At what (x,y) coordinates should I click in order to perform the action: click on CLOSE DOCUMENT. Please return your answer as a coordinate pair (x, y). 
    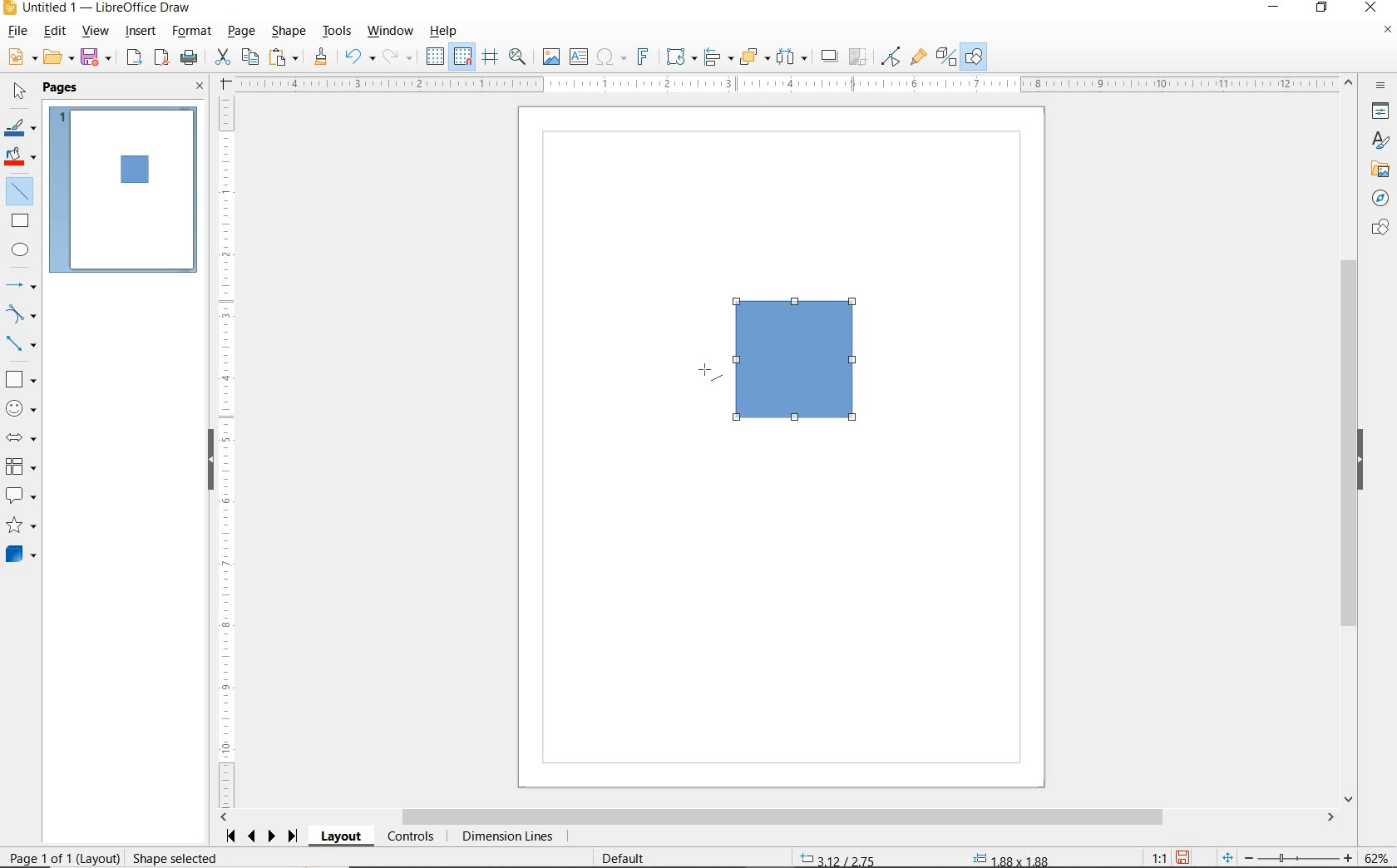
    Looking at the image, I should click on (1387, 31).